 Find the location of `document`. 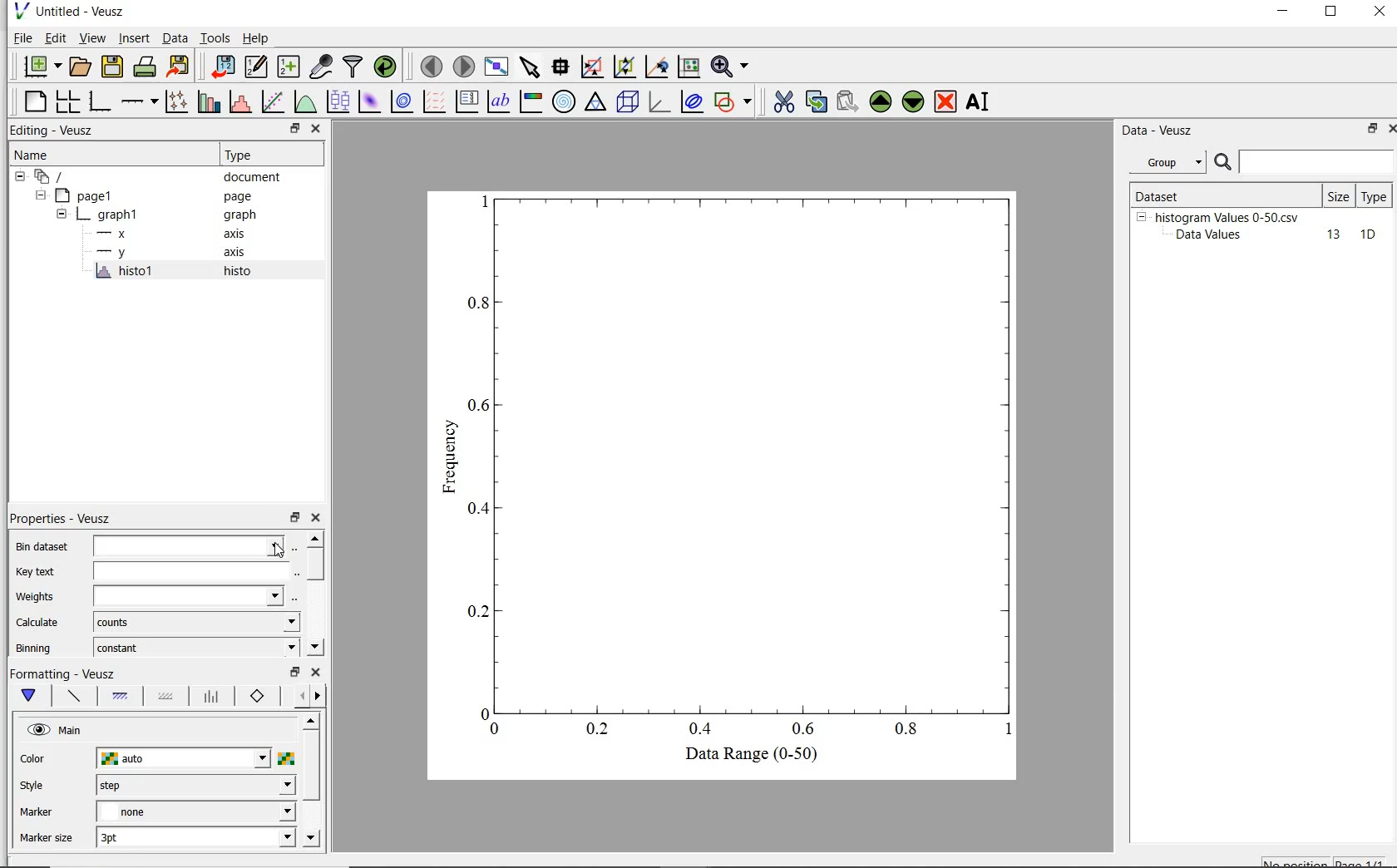

document is located at coordinates (253, 179).